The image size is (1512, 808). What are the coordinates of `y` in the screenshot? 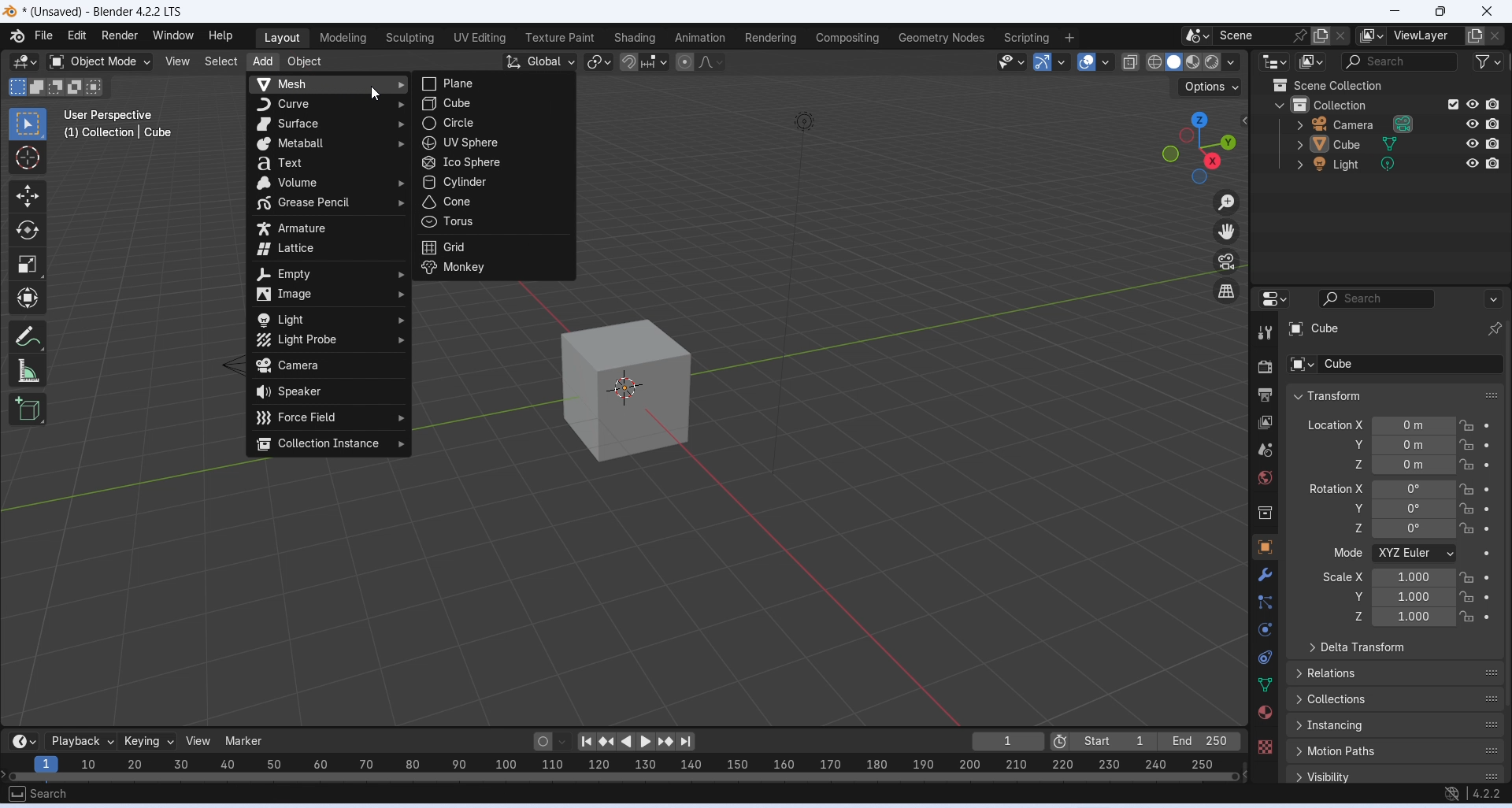 It's located at (1349, 507).